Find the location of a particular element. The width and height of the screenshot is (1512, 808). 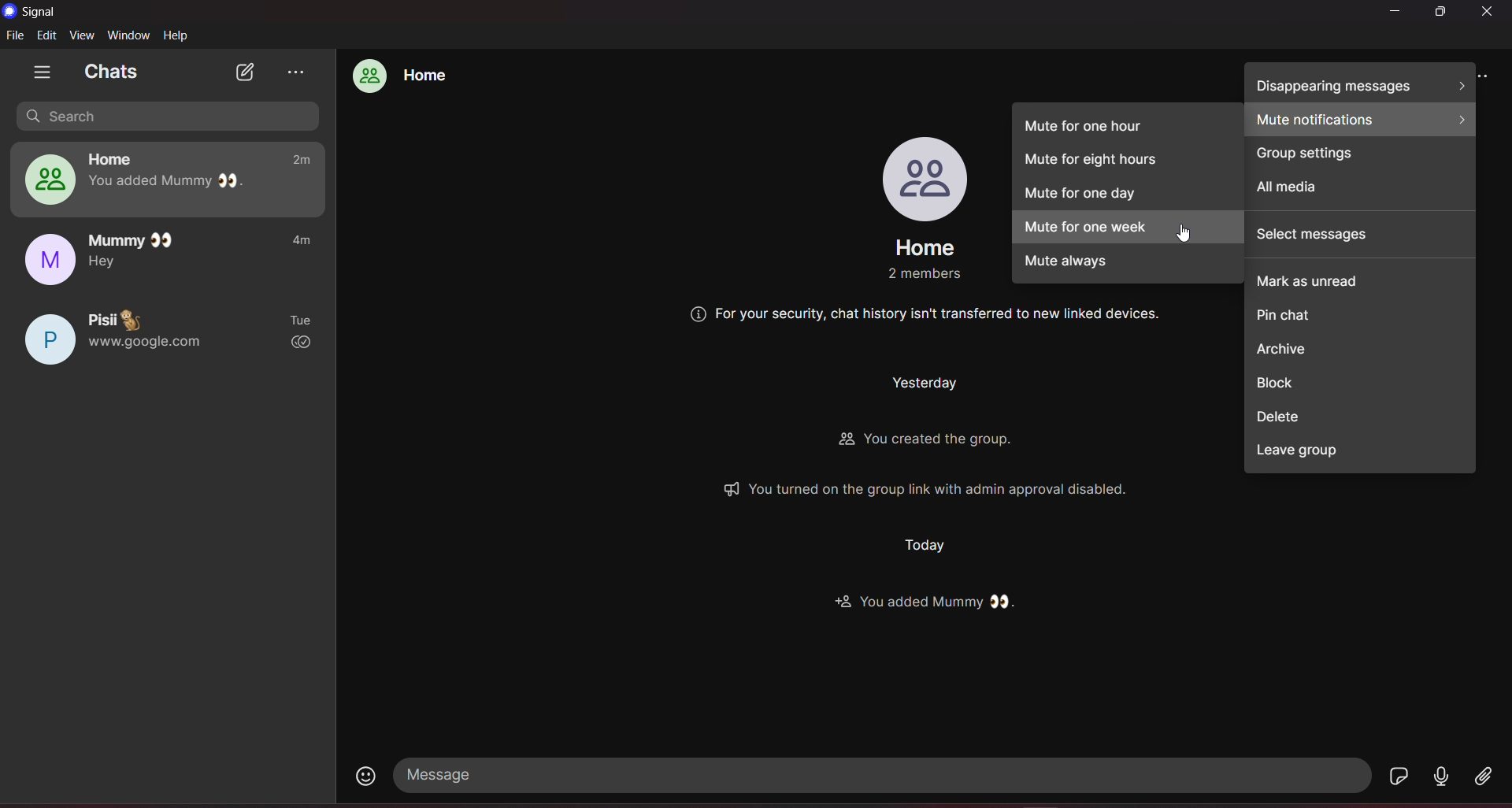

minimize is located at coordinates (1395, 13).